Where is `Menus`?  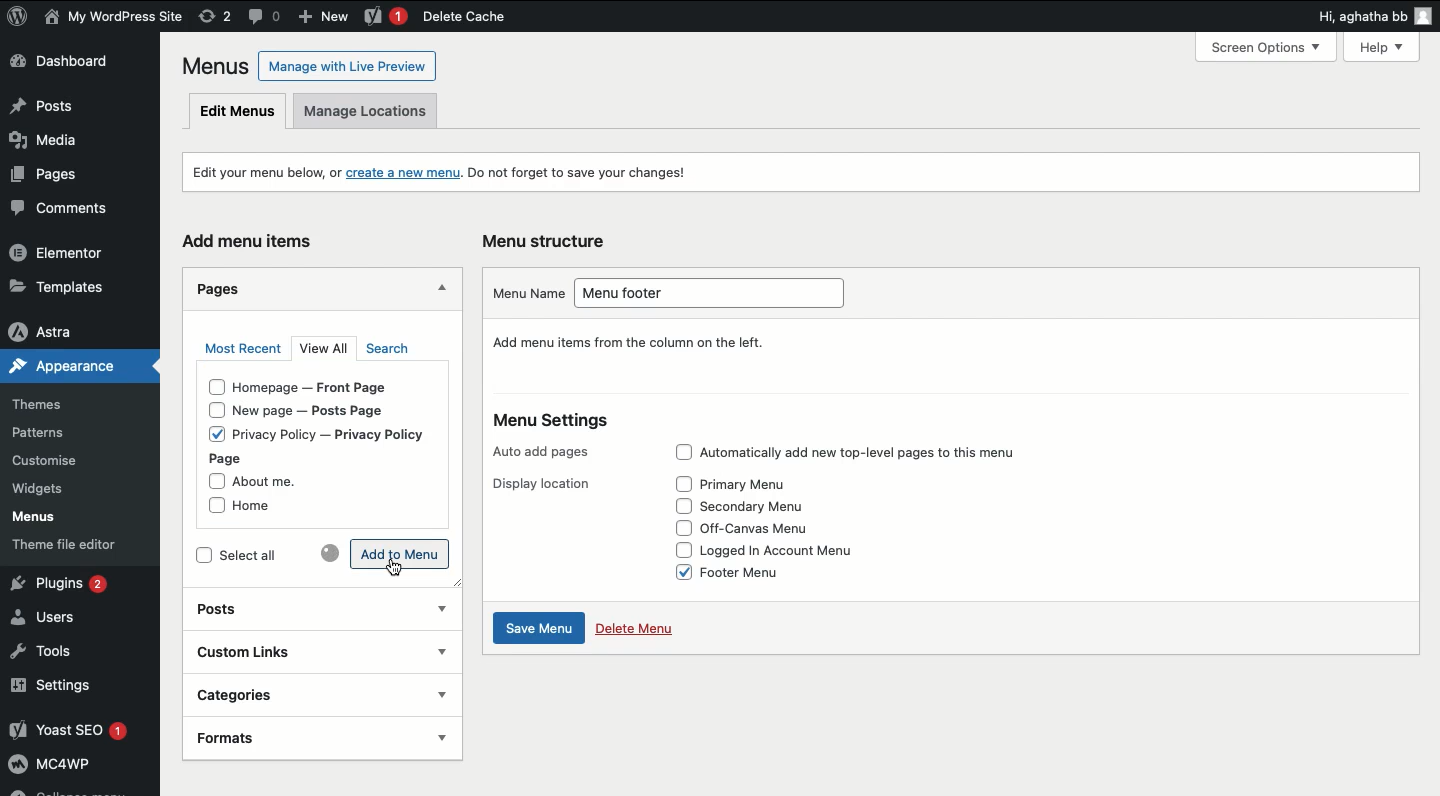
Menus is located at coordinates (212, 66).